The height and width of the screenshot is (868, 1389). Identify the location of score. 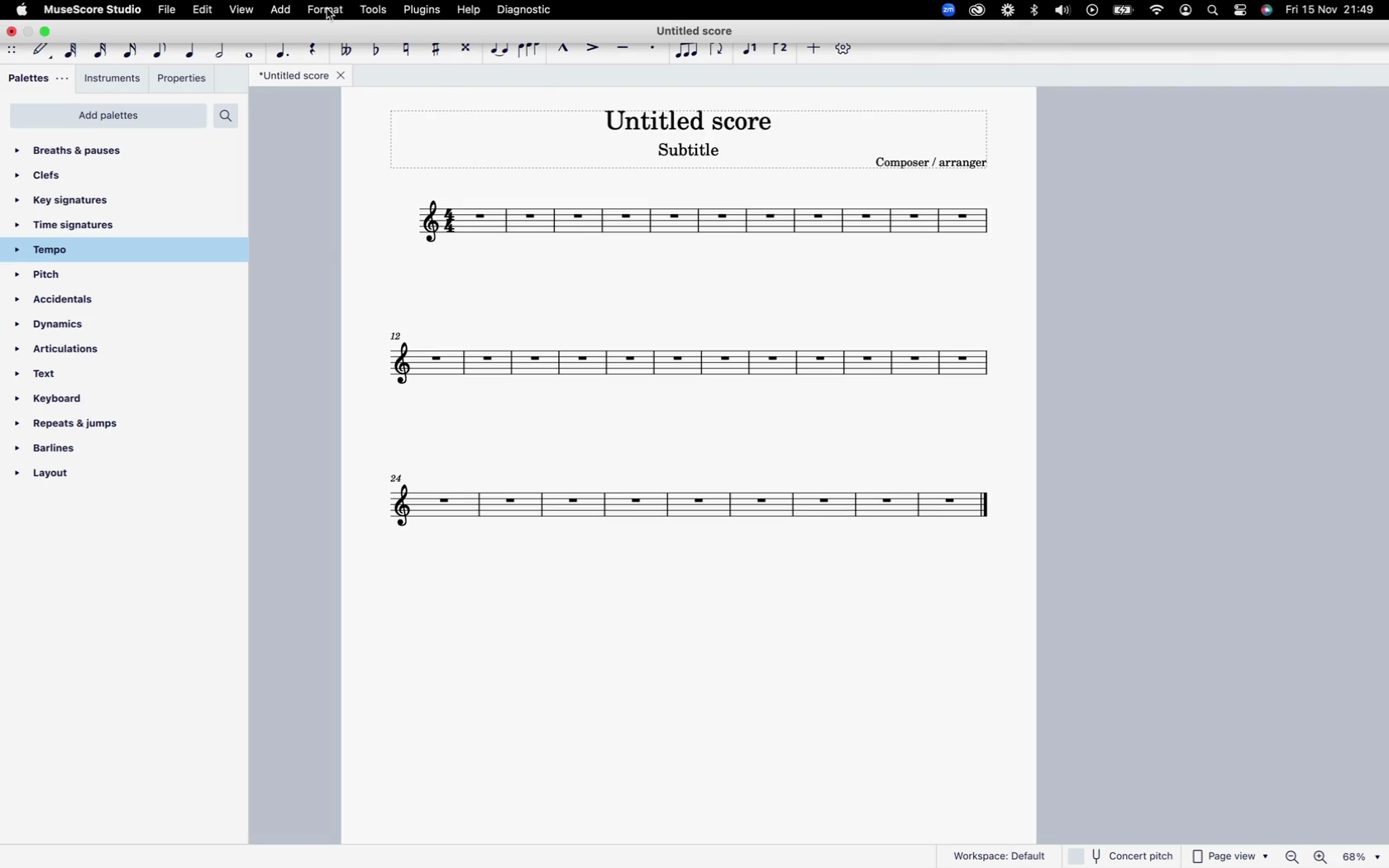
(696, 508).